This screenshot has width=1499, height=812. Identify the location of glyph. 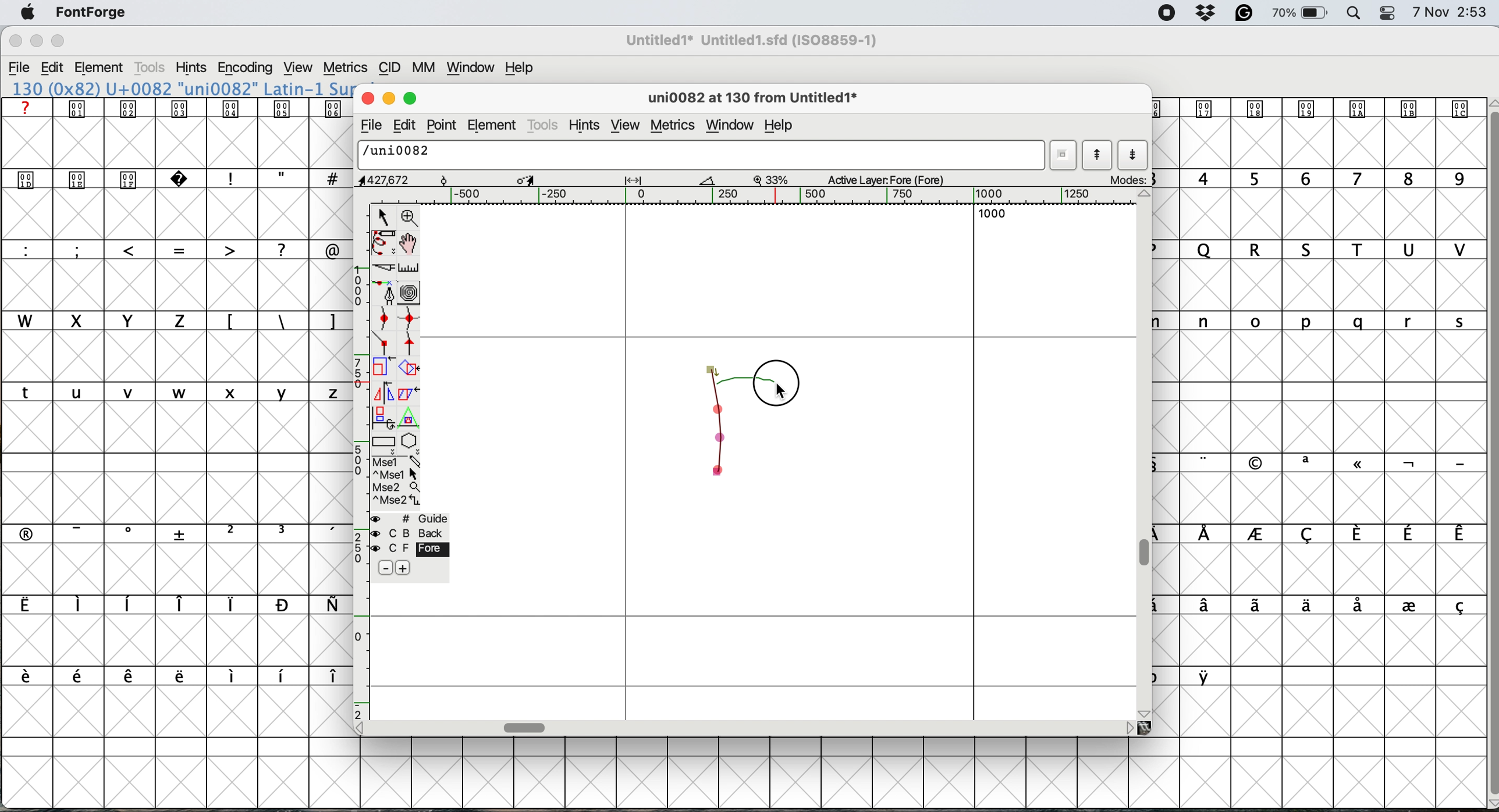
(702, 156).